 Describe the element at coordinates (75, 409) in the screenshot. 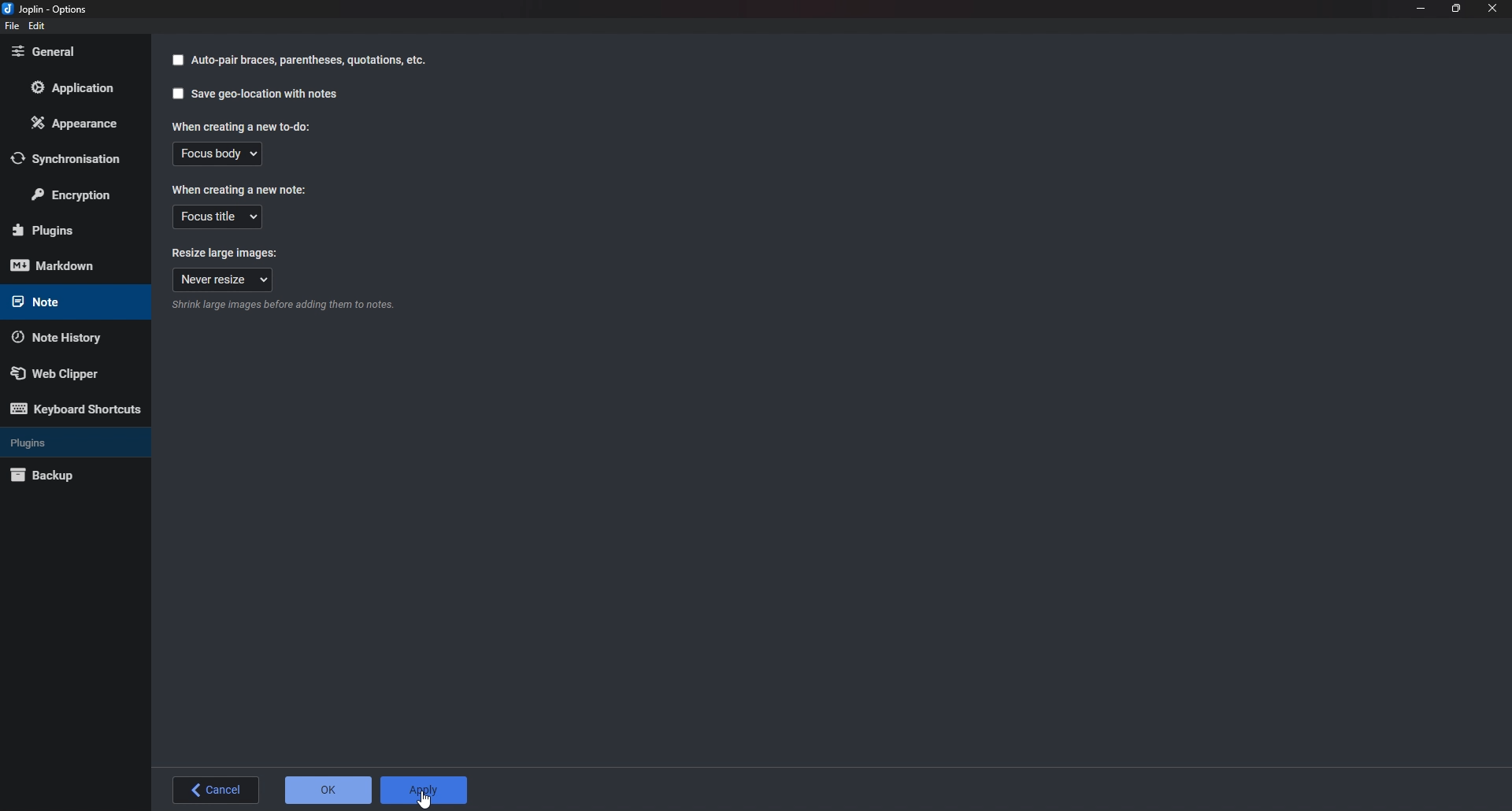

I see `Keyboard shortcuts` at that location.